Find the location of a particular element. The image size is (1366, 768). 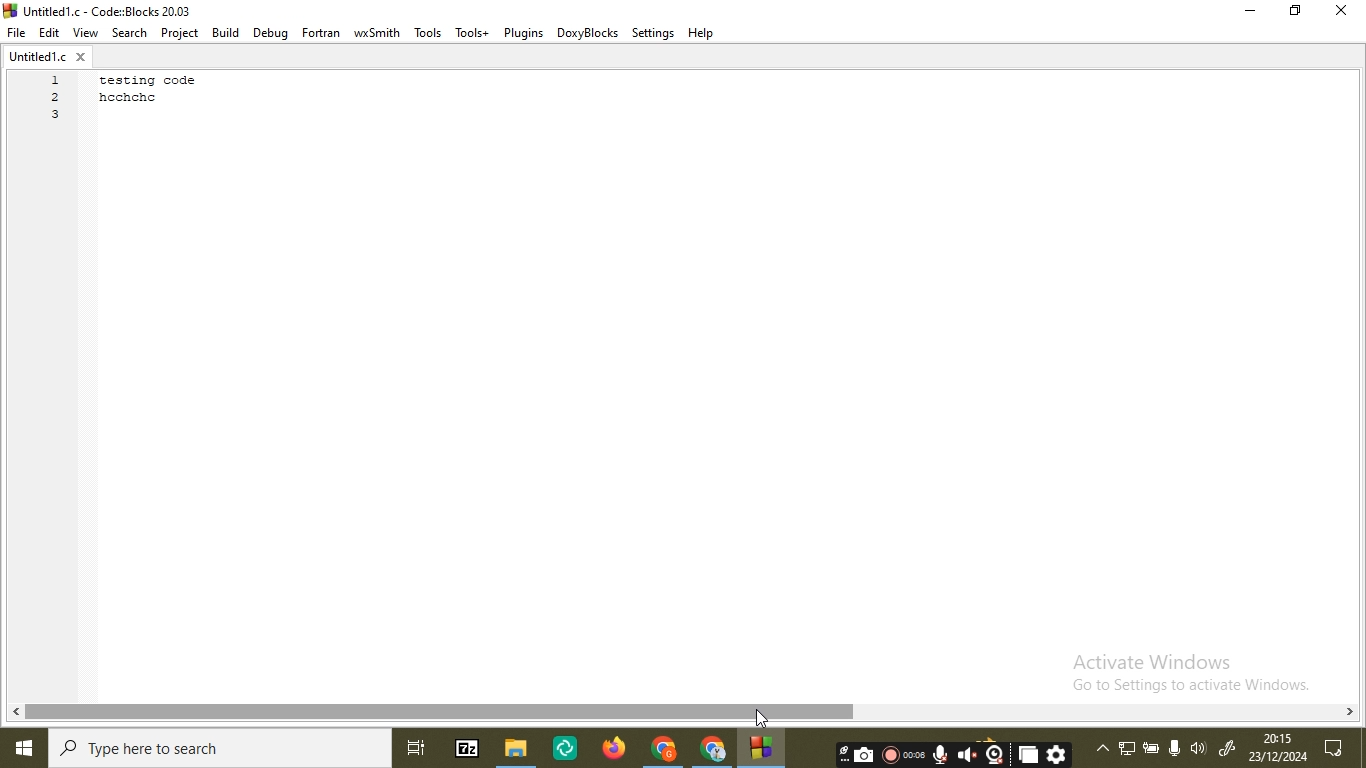

coding area is located at coordinates (683, 386).